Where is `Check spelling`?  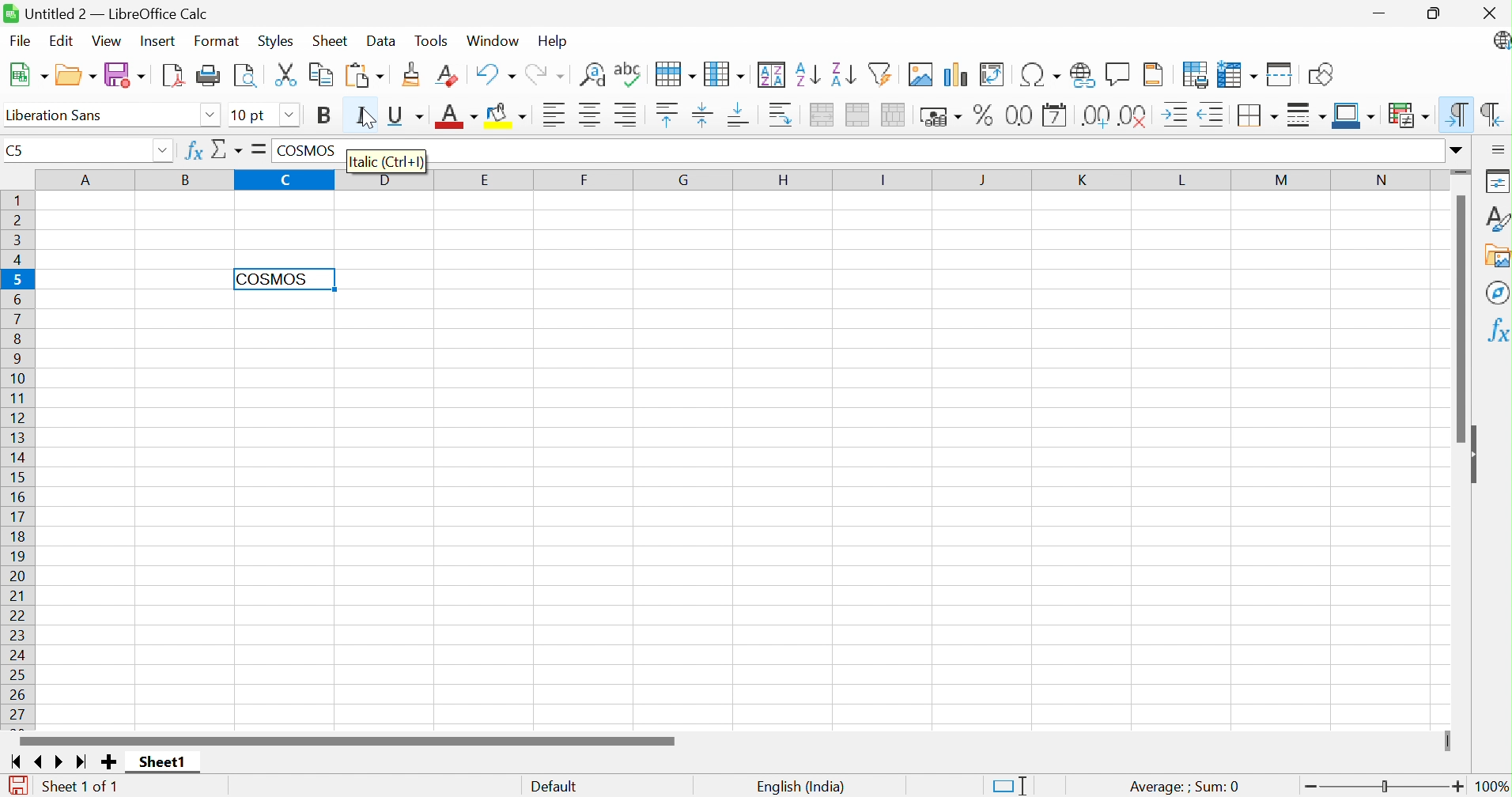
Check spelling is located at coordinates (629, 74).